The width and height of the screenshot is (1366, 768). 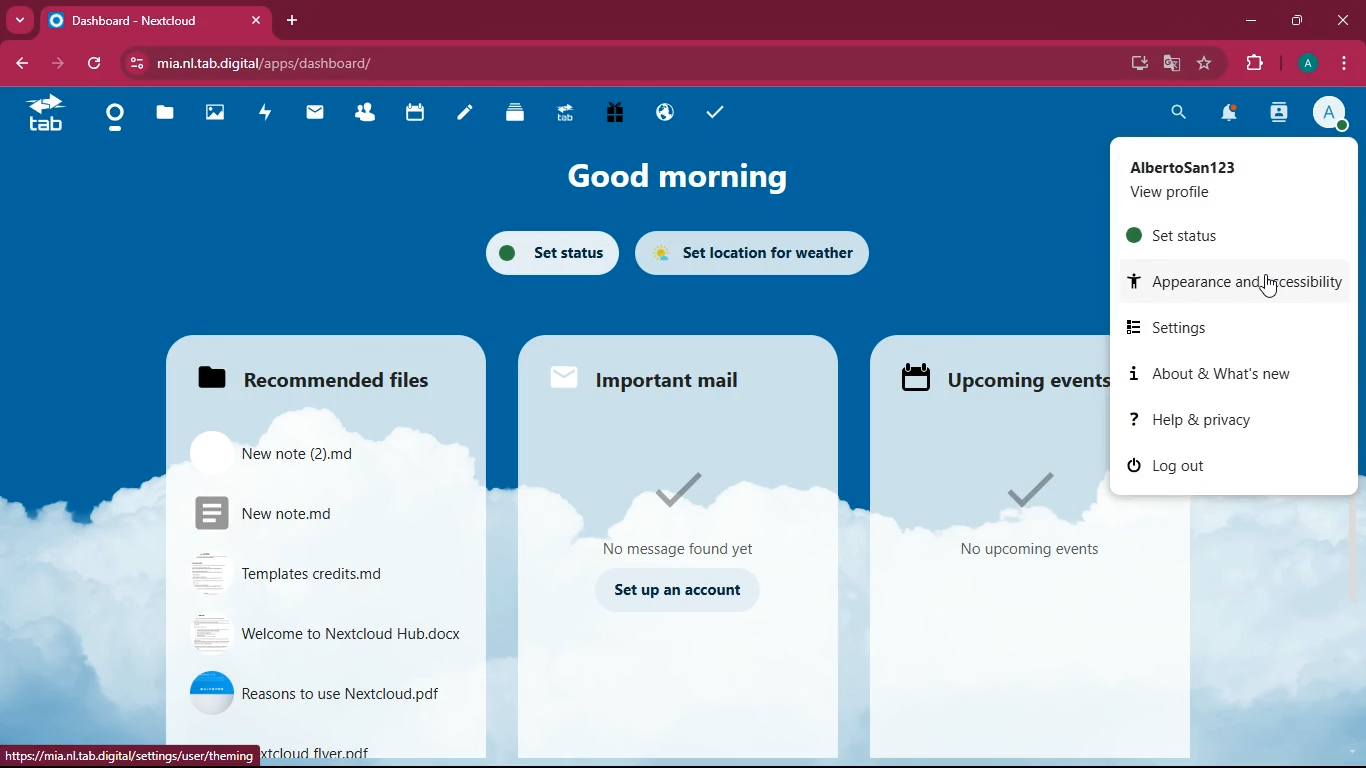 What do you see at coordinates (217, 115) in the screenshot?
I see `image` at bounding box center [217, 115].